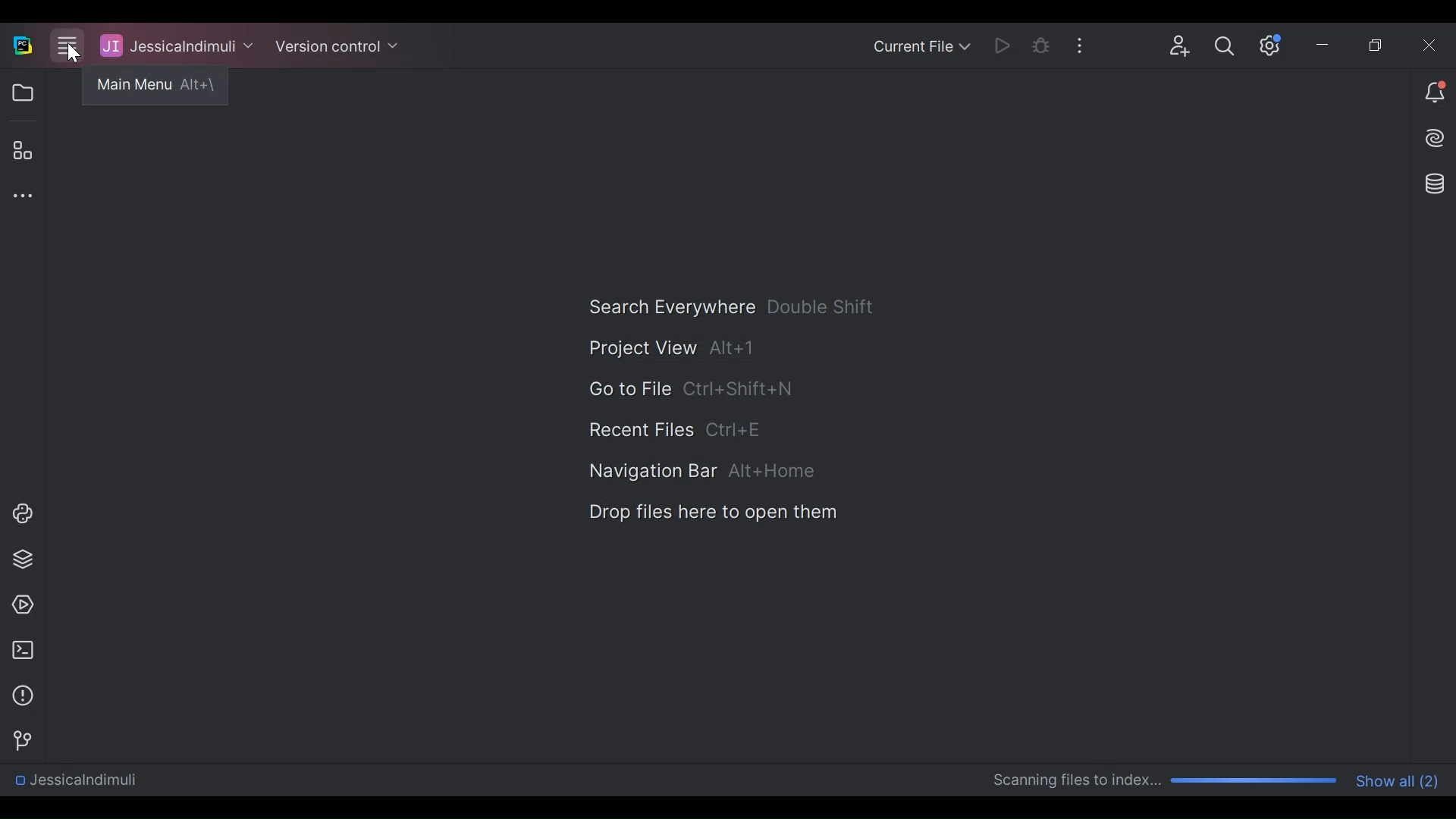 The image size is (1456, 819). I want to click on Close, so click(1424, 42).